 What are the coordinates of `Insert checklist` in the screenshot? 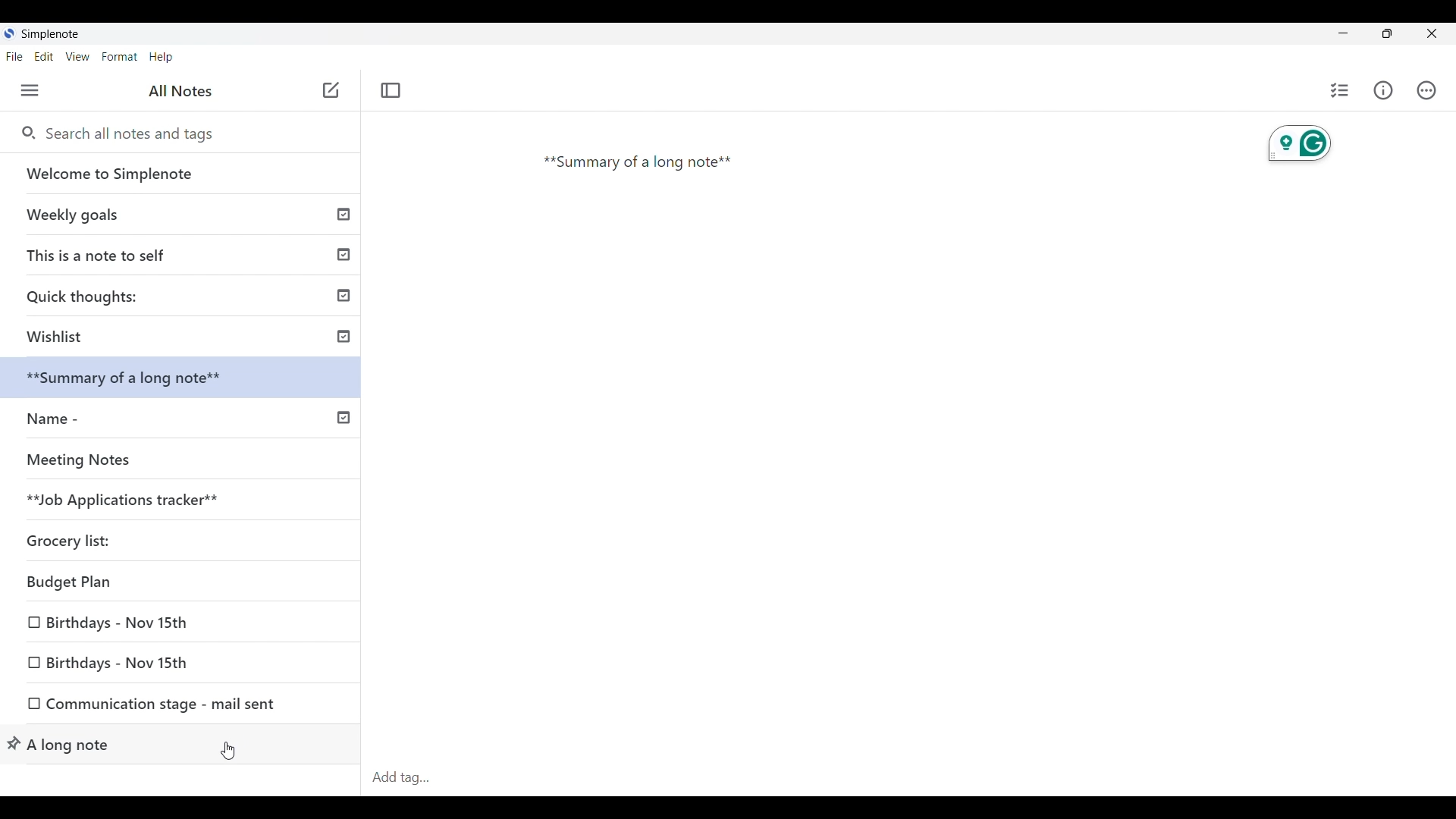 It's located at (1341, 90).